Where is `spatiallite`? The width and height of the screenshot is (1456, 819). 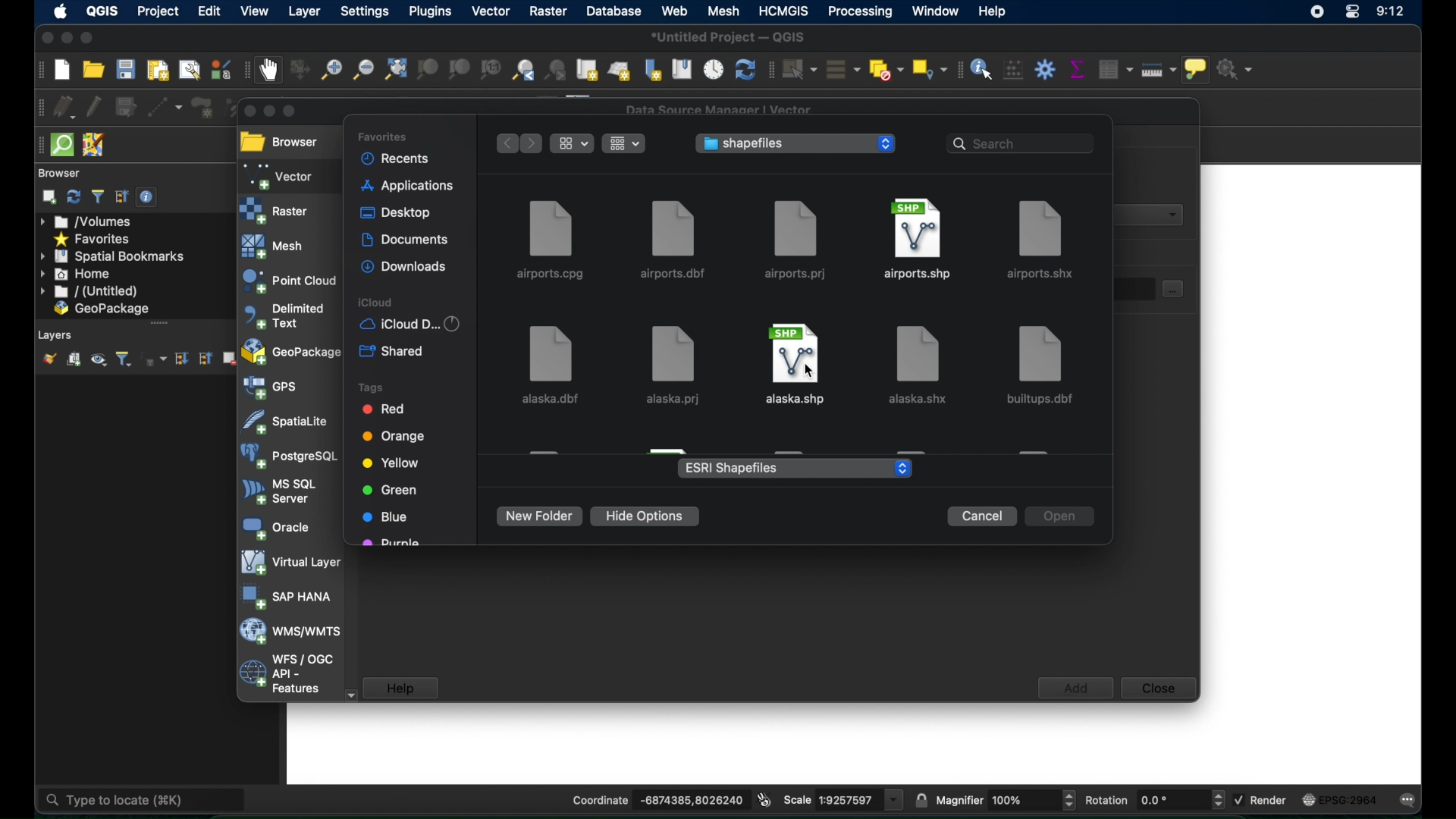
spatiallite is located at coordinates (286, 422).